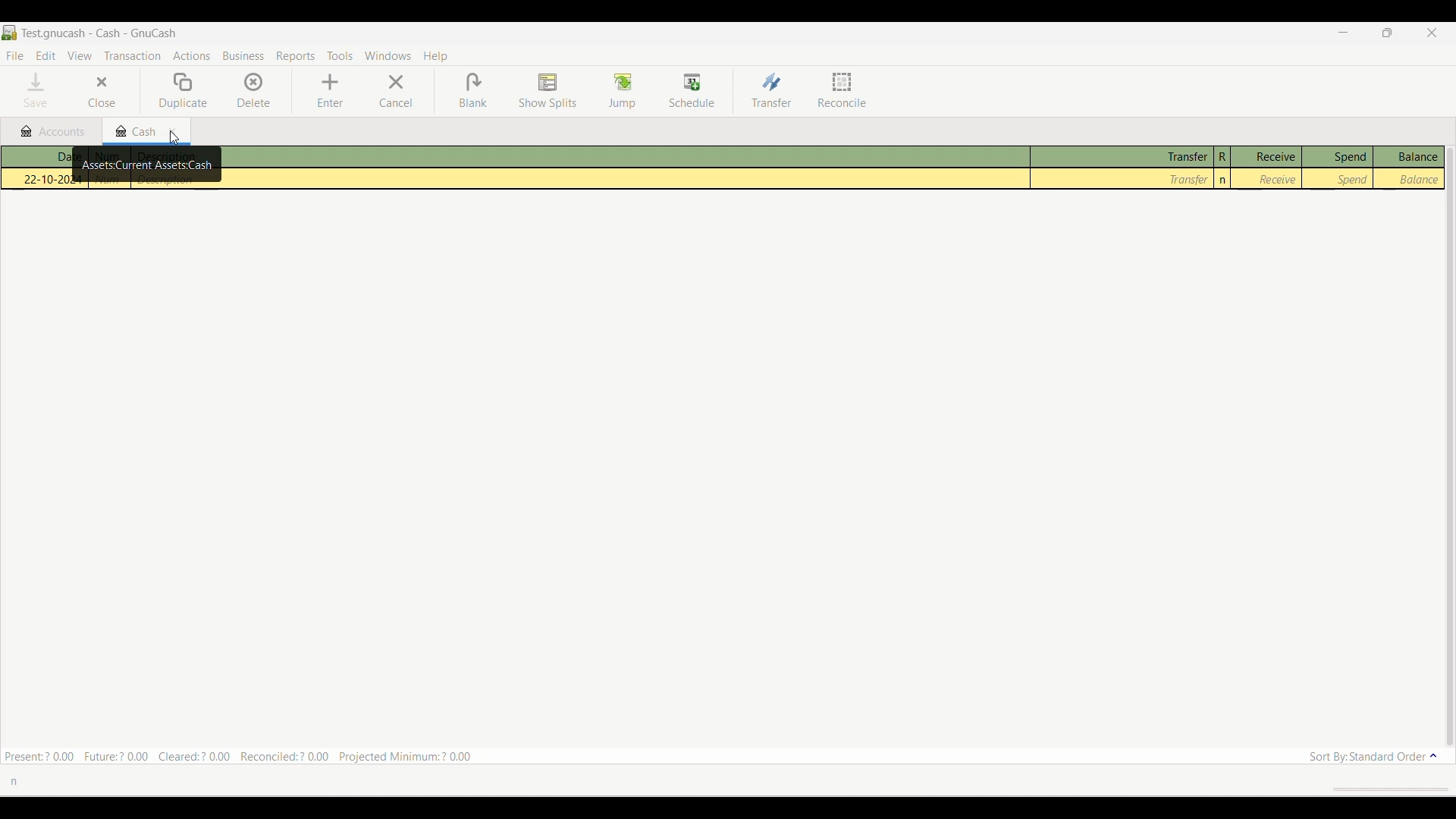 This screenshot has width=1456, height=819. What do you see at coordinates (146, 132) in the screenshot?
I see `Selected open tab` at bounding box center [146, 132].